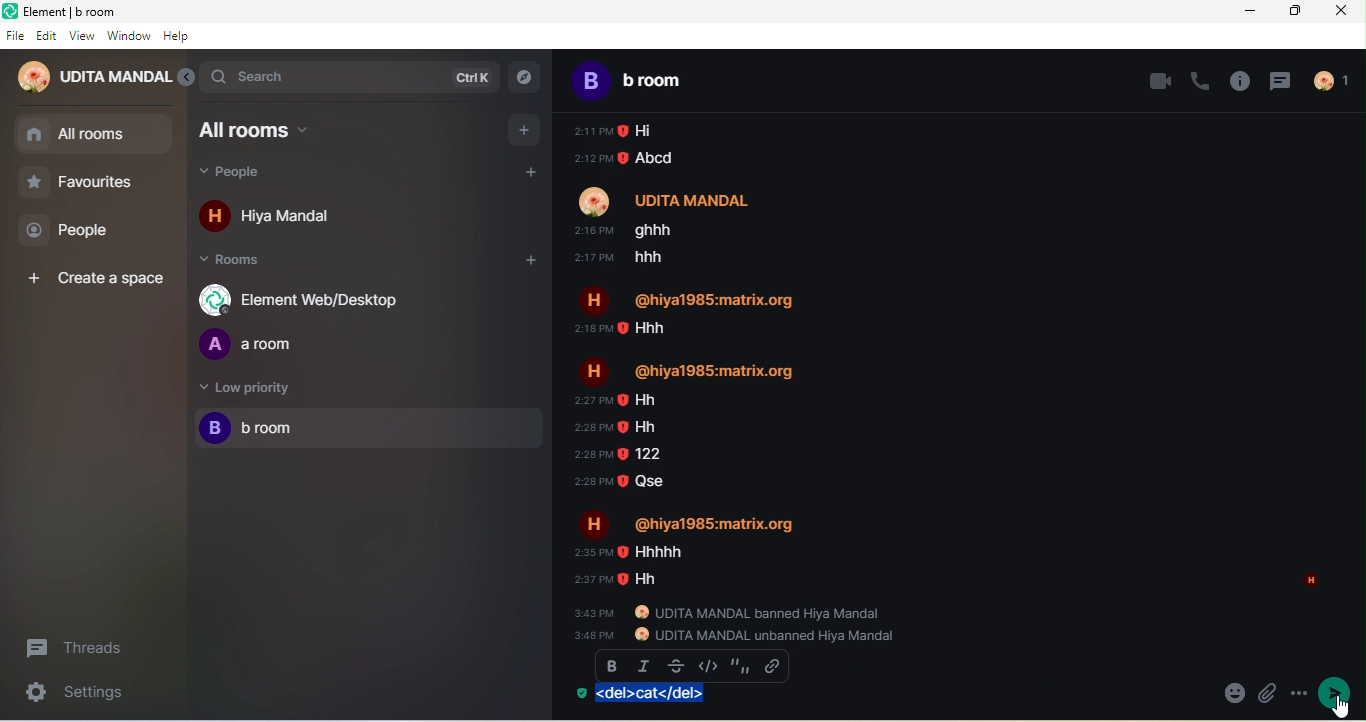  Describe the element at coordinates (91, 183) in the screenshot. I see `favourites` at that location.